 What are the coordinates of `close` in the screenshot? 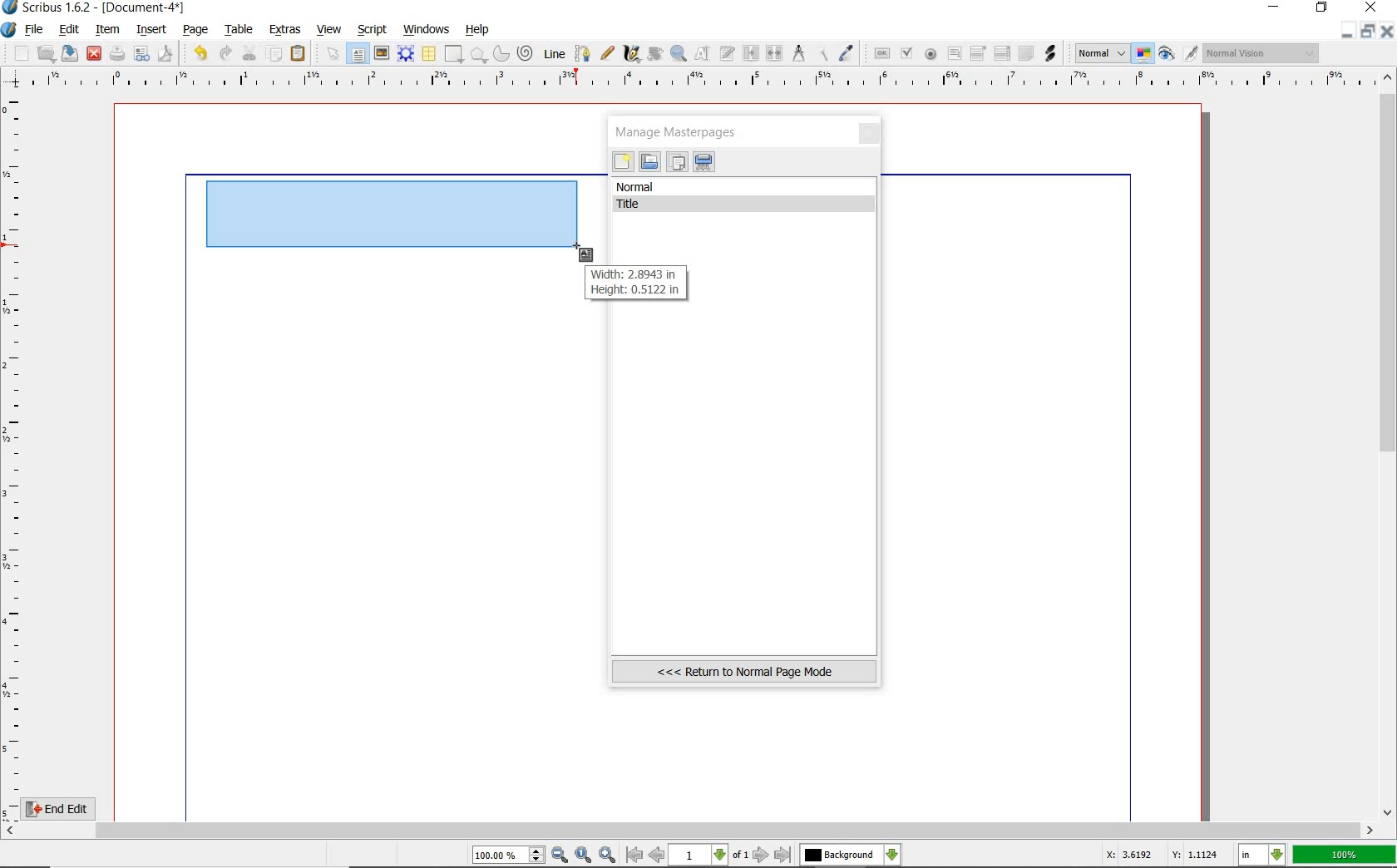 It's located at (1389, 31).